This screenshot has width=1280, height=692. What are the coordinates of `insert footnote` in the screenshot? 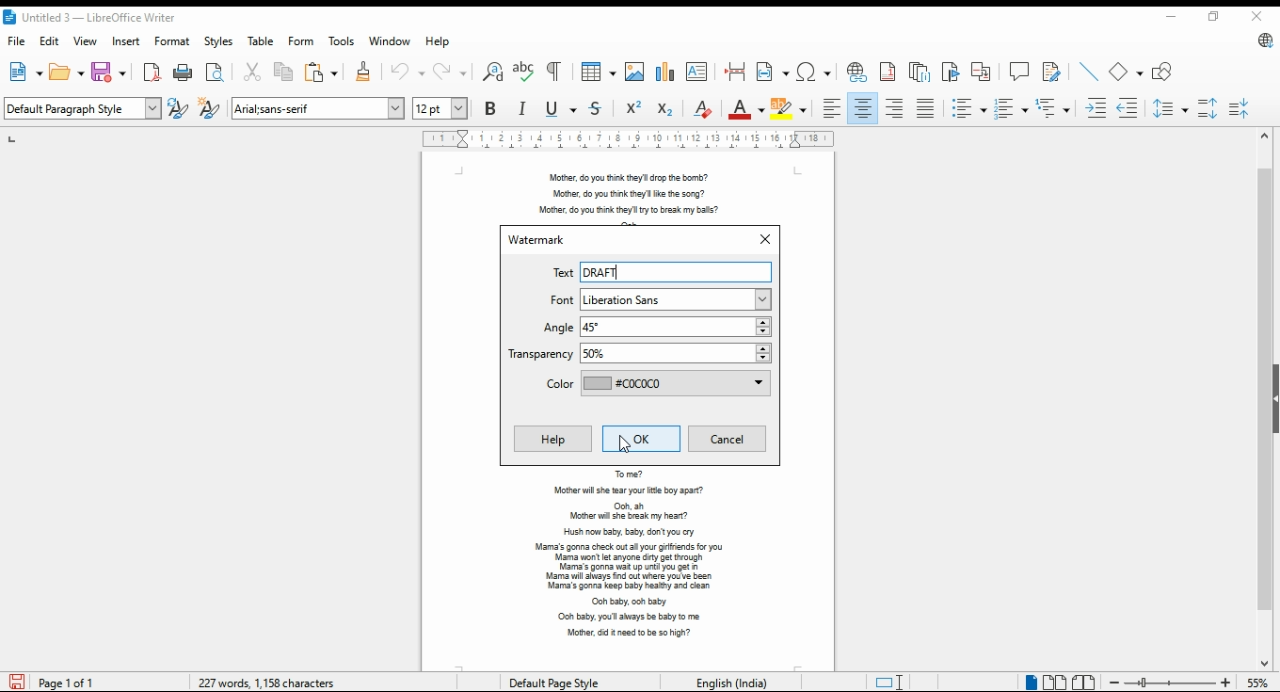 It's located at (889, 72).